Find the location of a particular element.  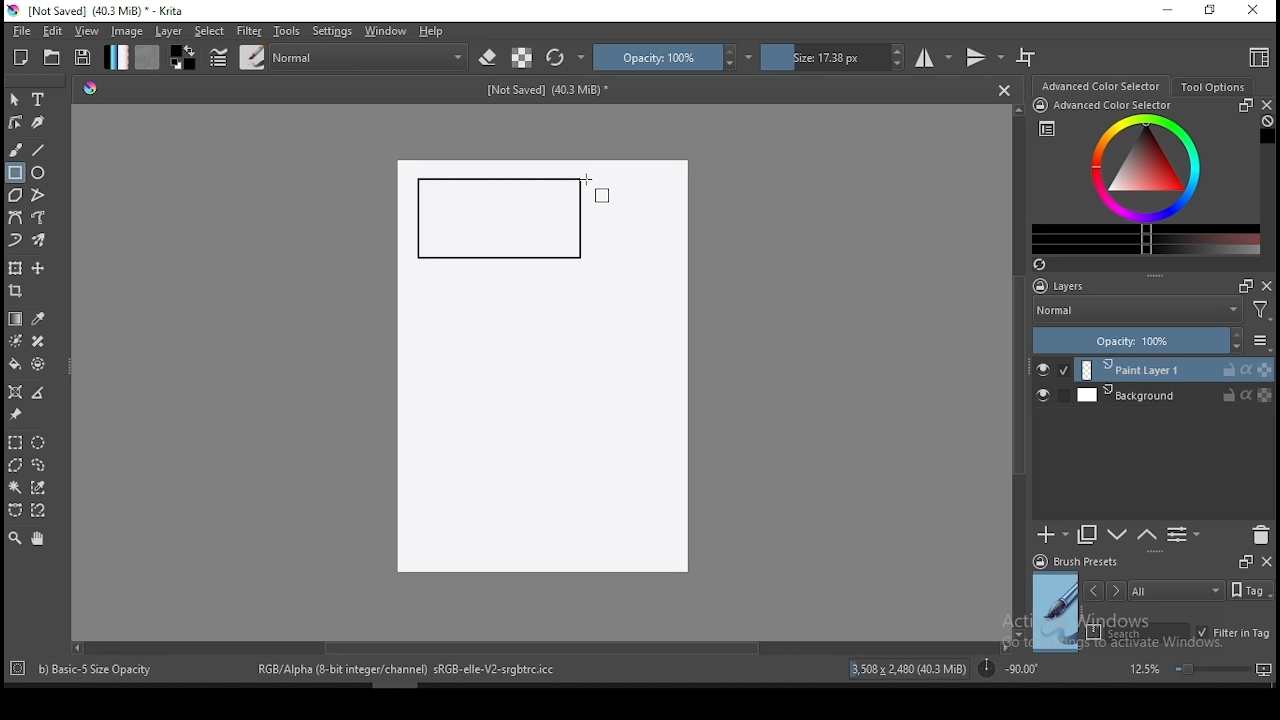

reload original preset is located at coordinates (566, 57).